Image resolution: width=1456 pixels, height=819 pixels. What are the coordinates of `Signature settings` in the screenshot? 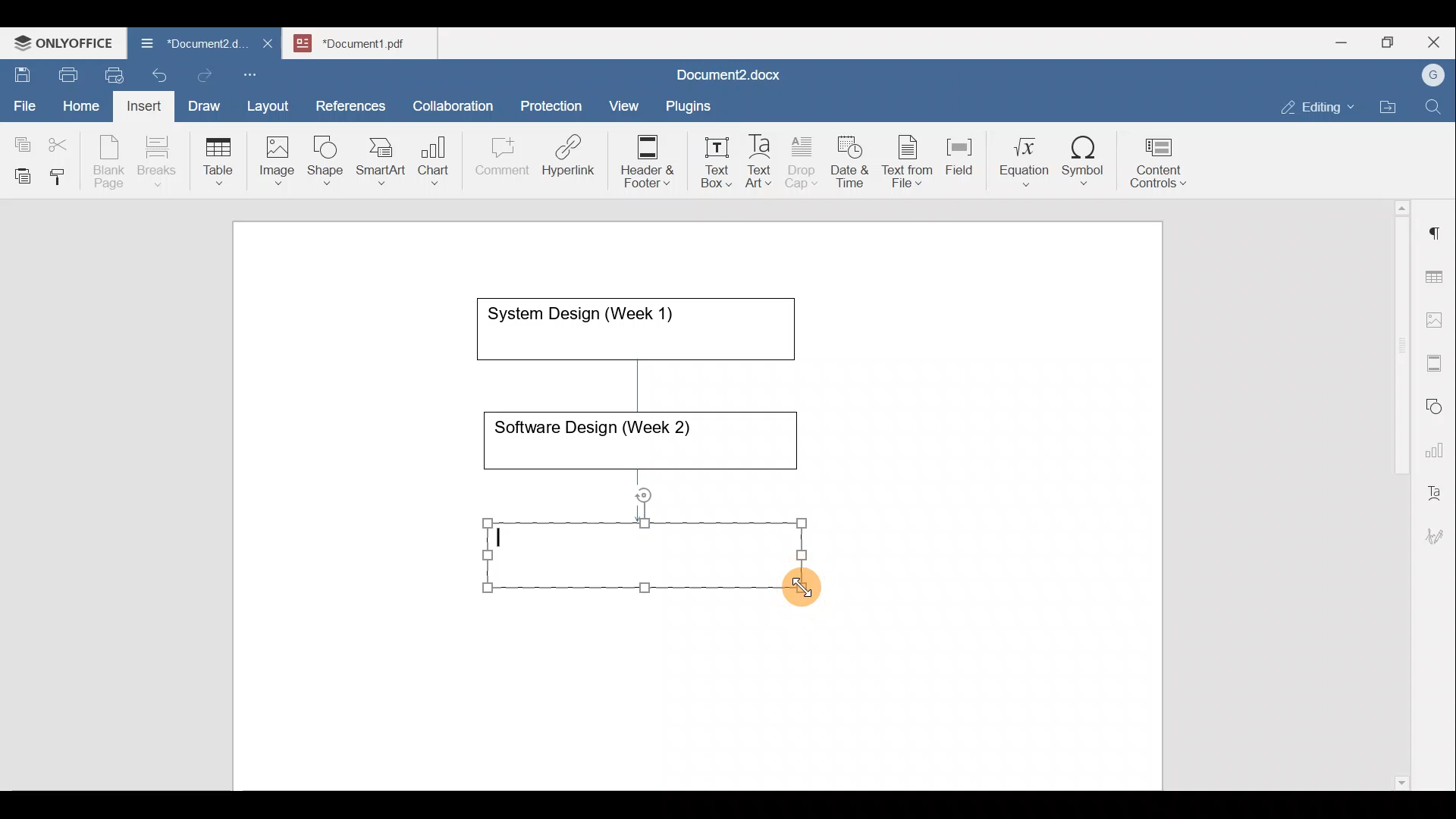 It's located at (1439, 531).